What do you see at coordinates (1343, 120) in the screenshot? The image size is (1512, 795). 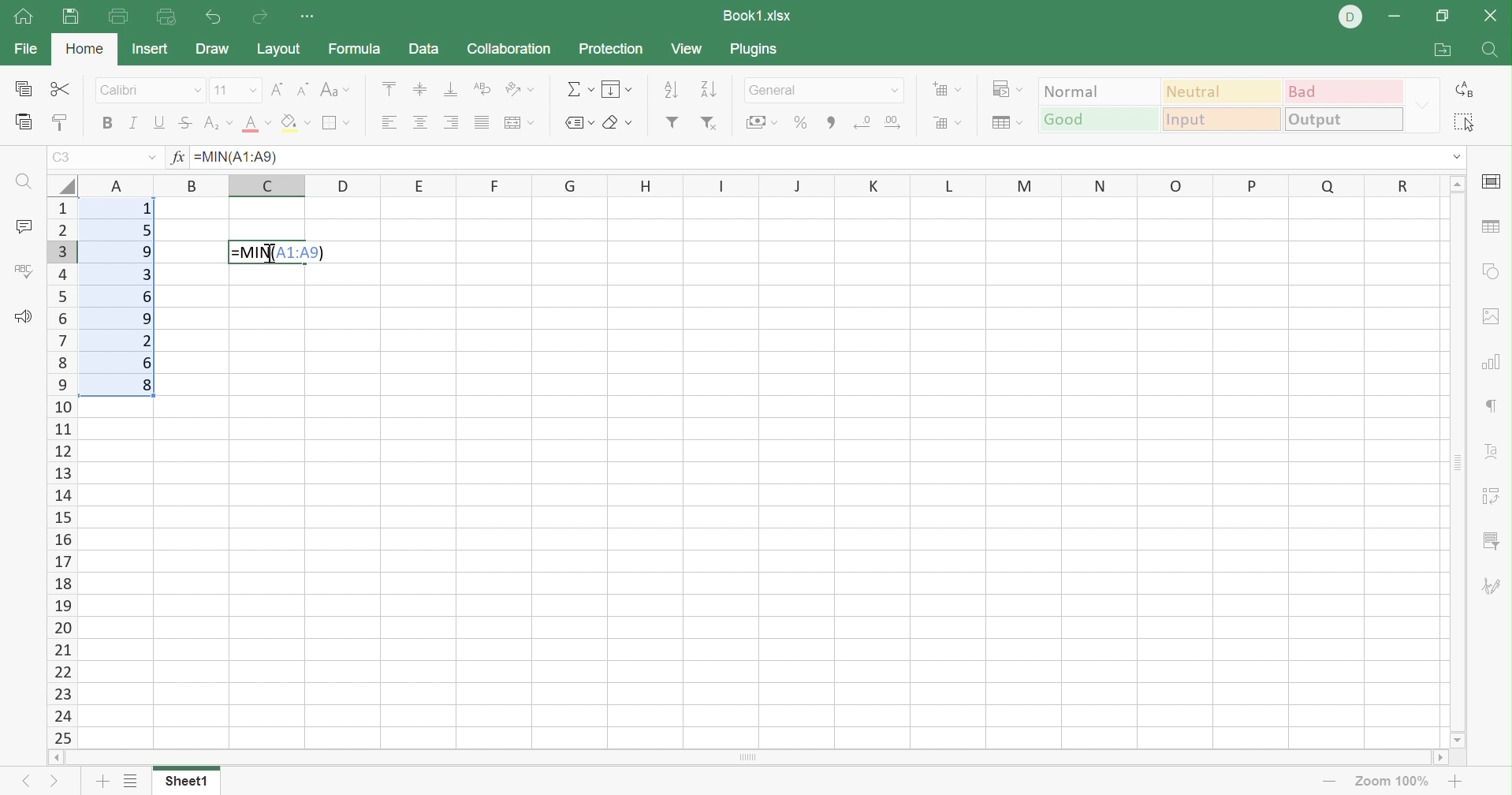 I see `Output` at bounding box center [1343, 120].